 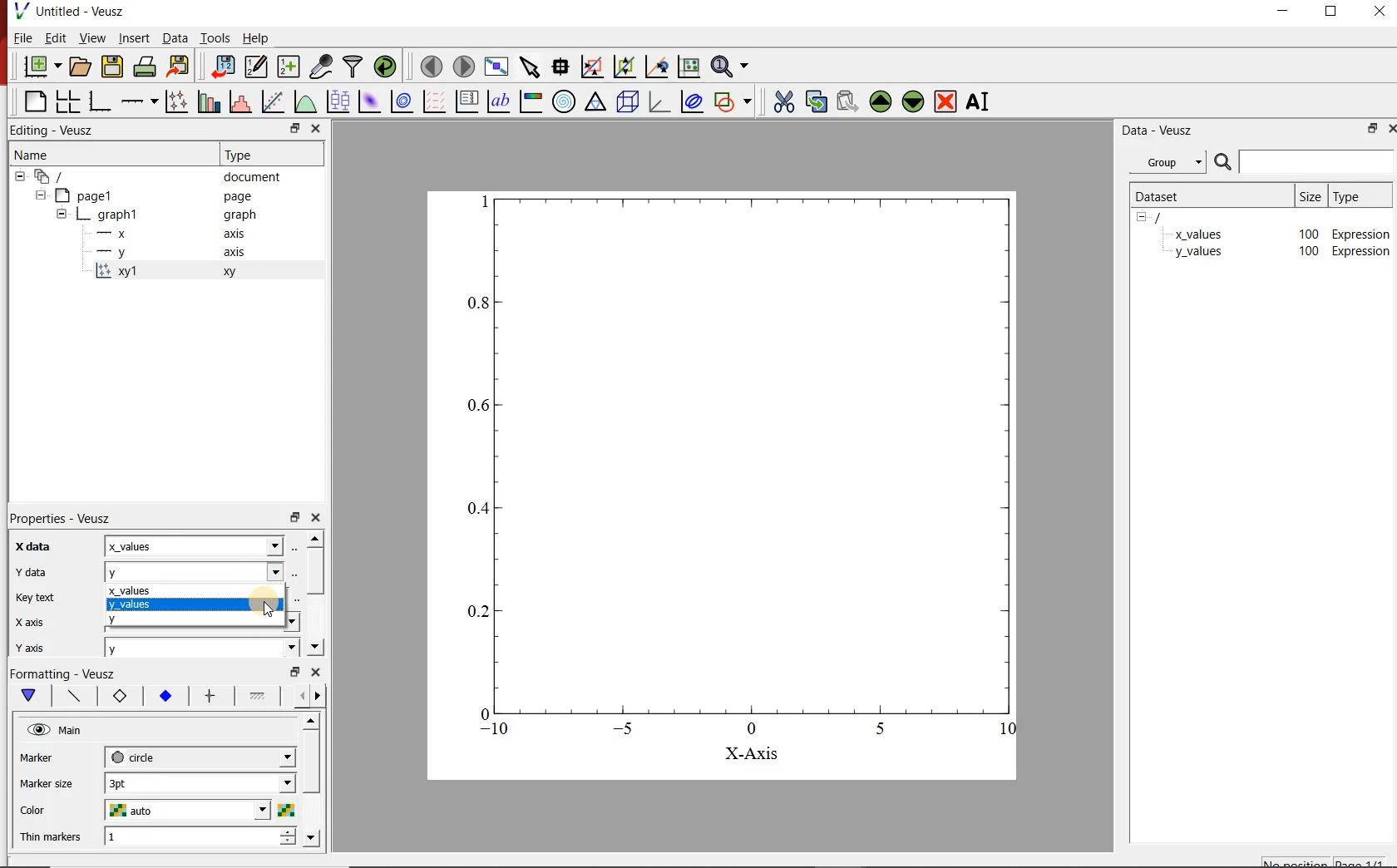 I want to click on help, so click(x=260, y=37).